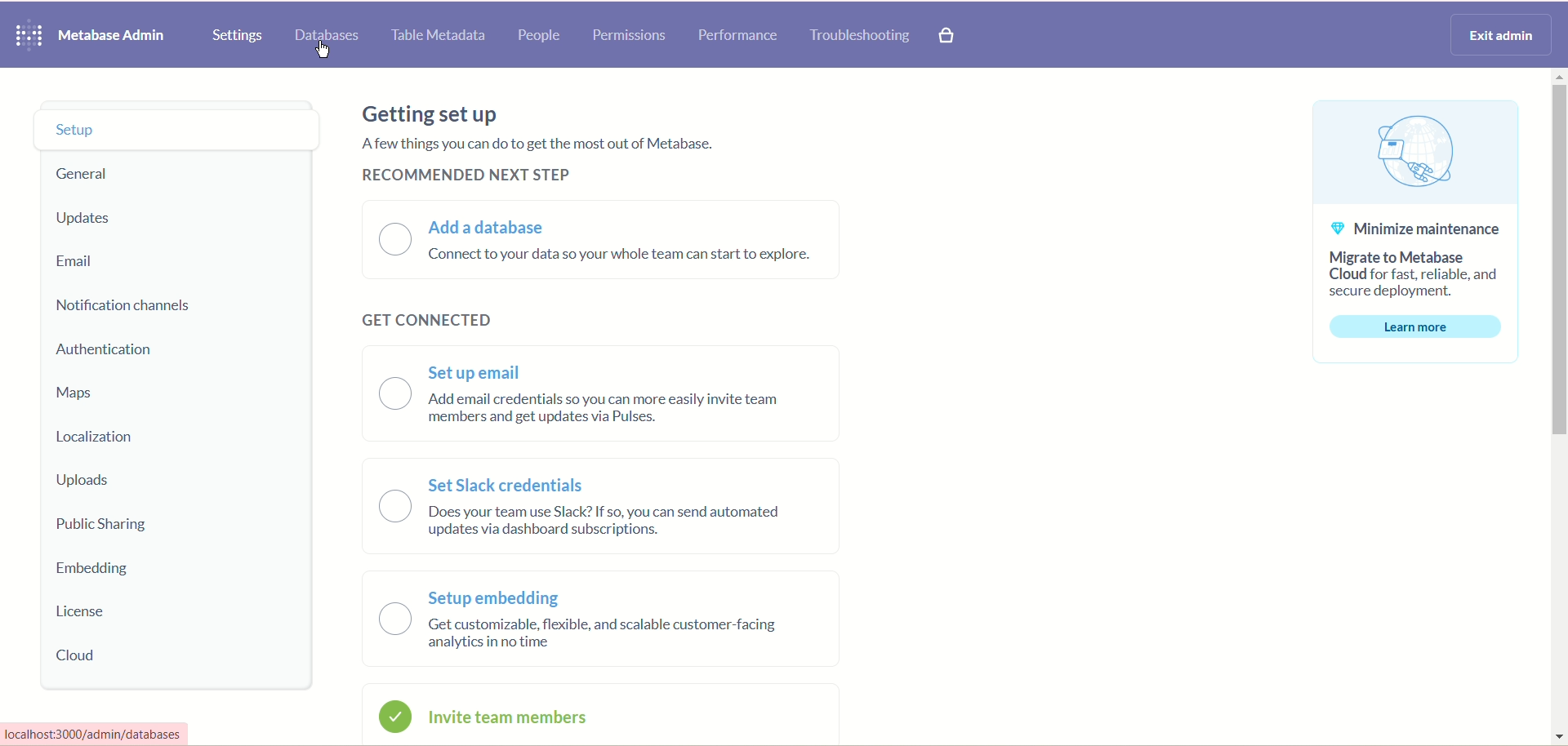  Describe the element at coordinates (531, 721) in the screenshot. I see `invite team members` at that location.